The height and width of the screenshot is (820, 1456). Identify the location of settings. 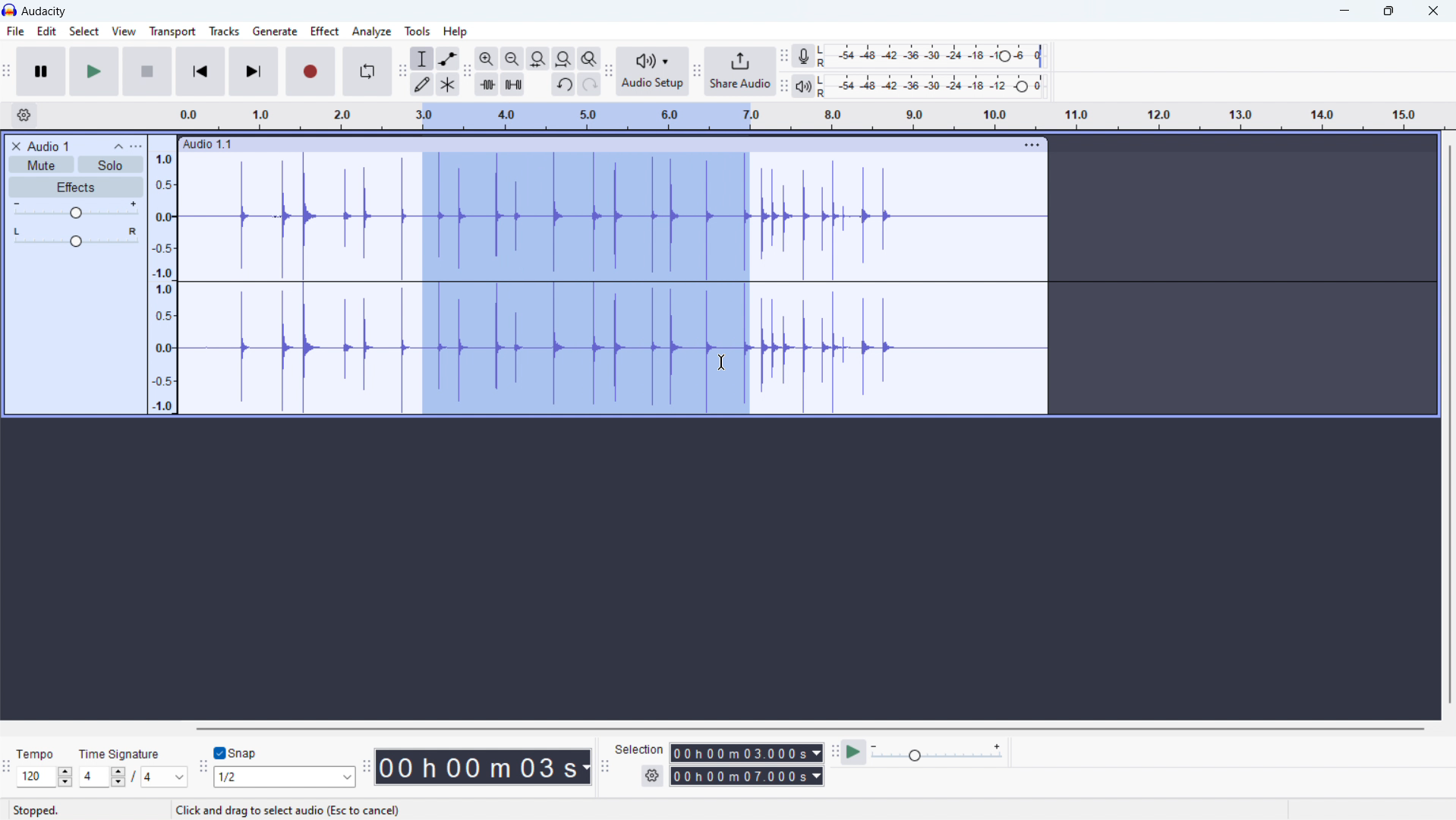
(653, 775).